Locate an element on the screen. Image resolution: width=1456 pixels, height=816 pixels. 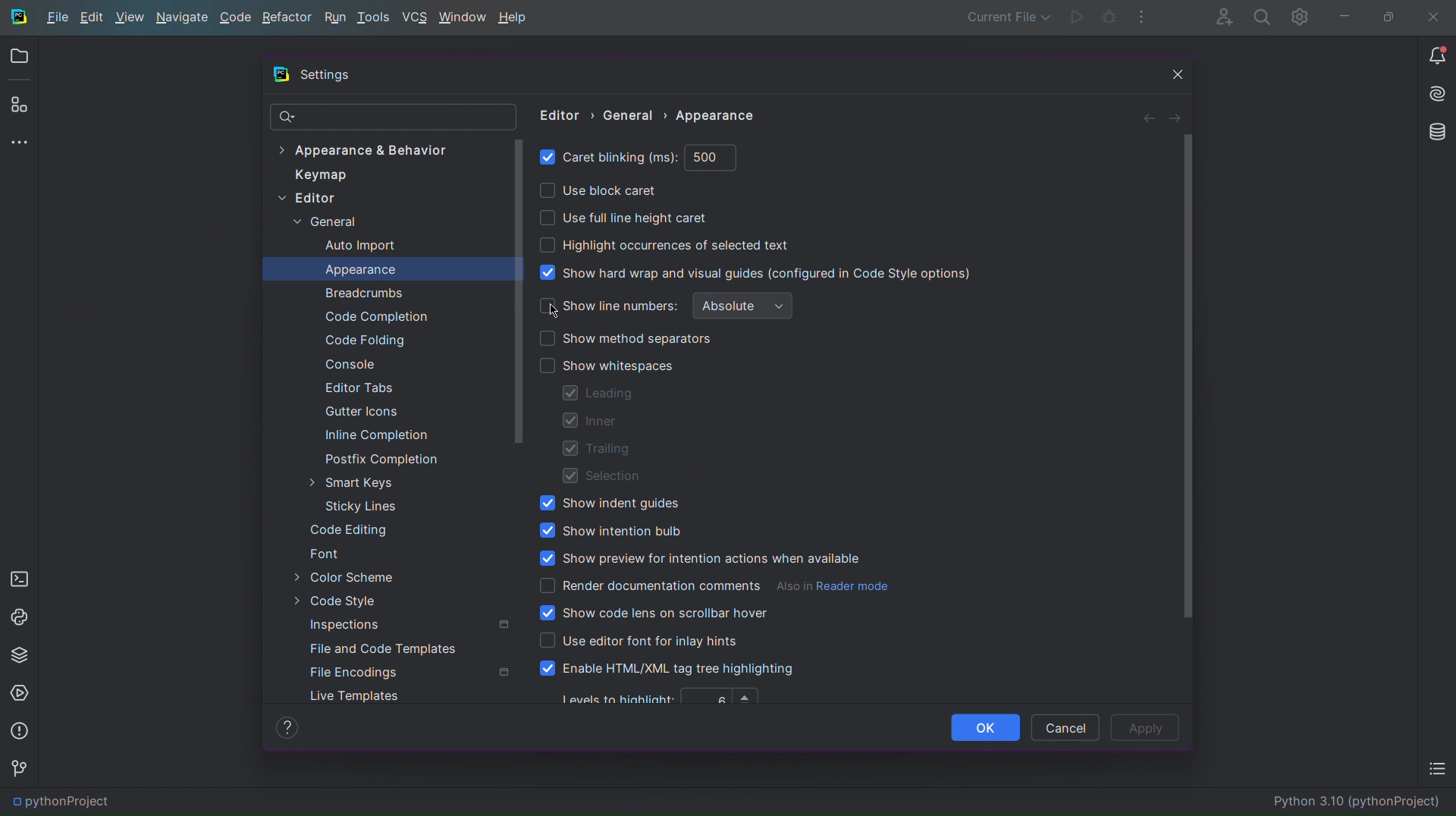
Python Packages is located at coordinates (21, 655).